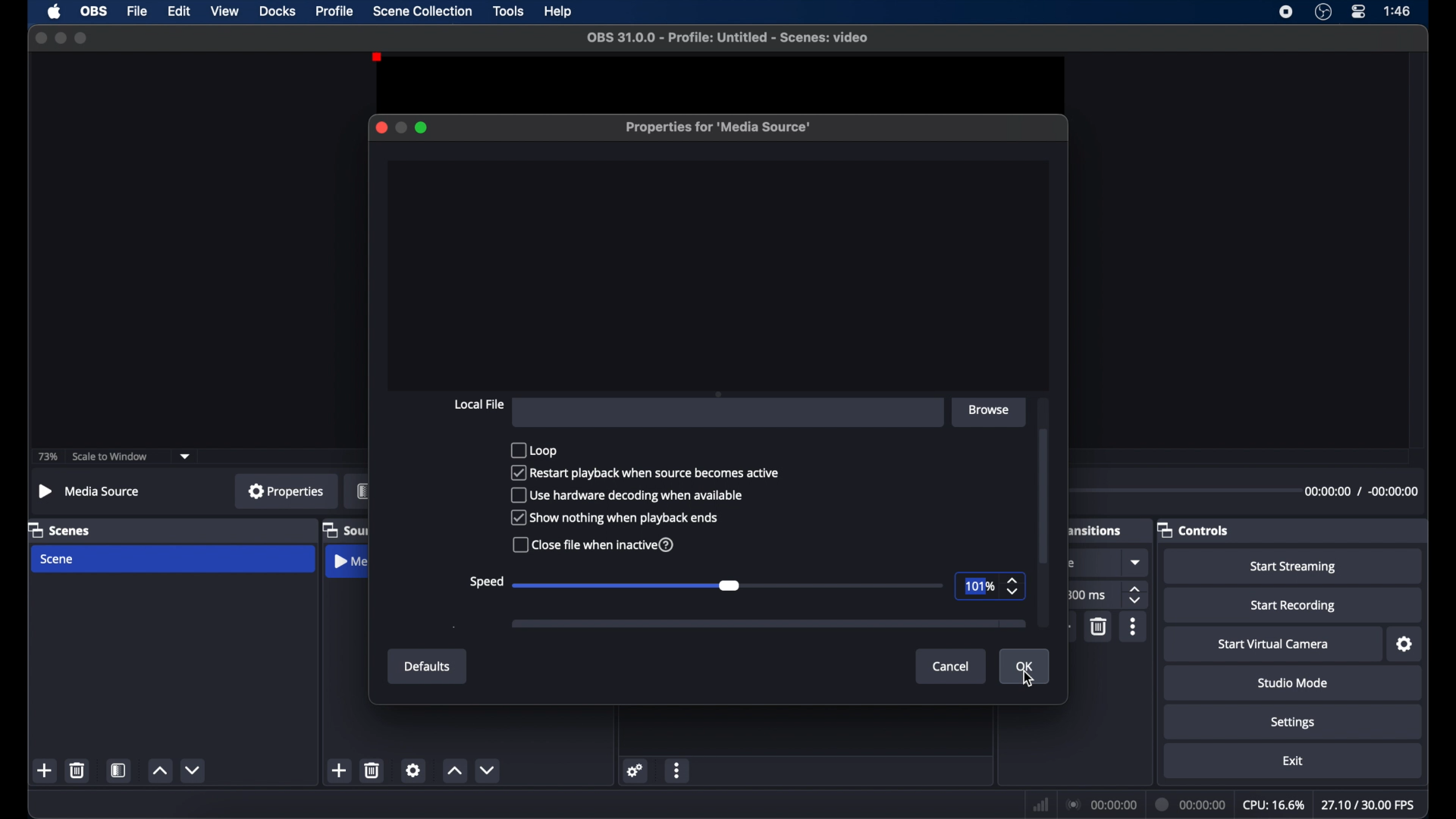 This screenshot has width=1456, height=819. Describe the element at coordinates (614, 518) in the screenshot. I see `show nothing when playback ends` at that location.